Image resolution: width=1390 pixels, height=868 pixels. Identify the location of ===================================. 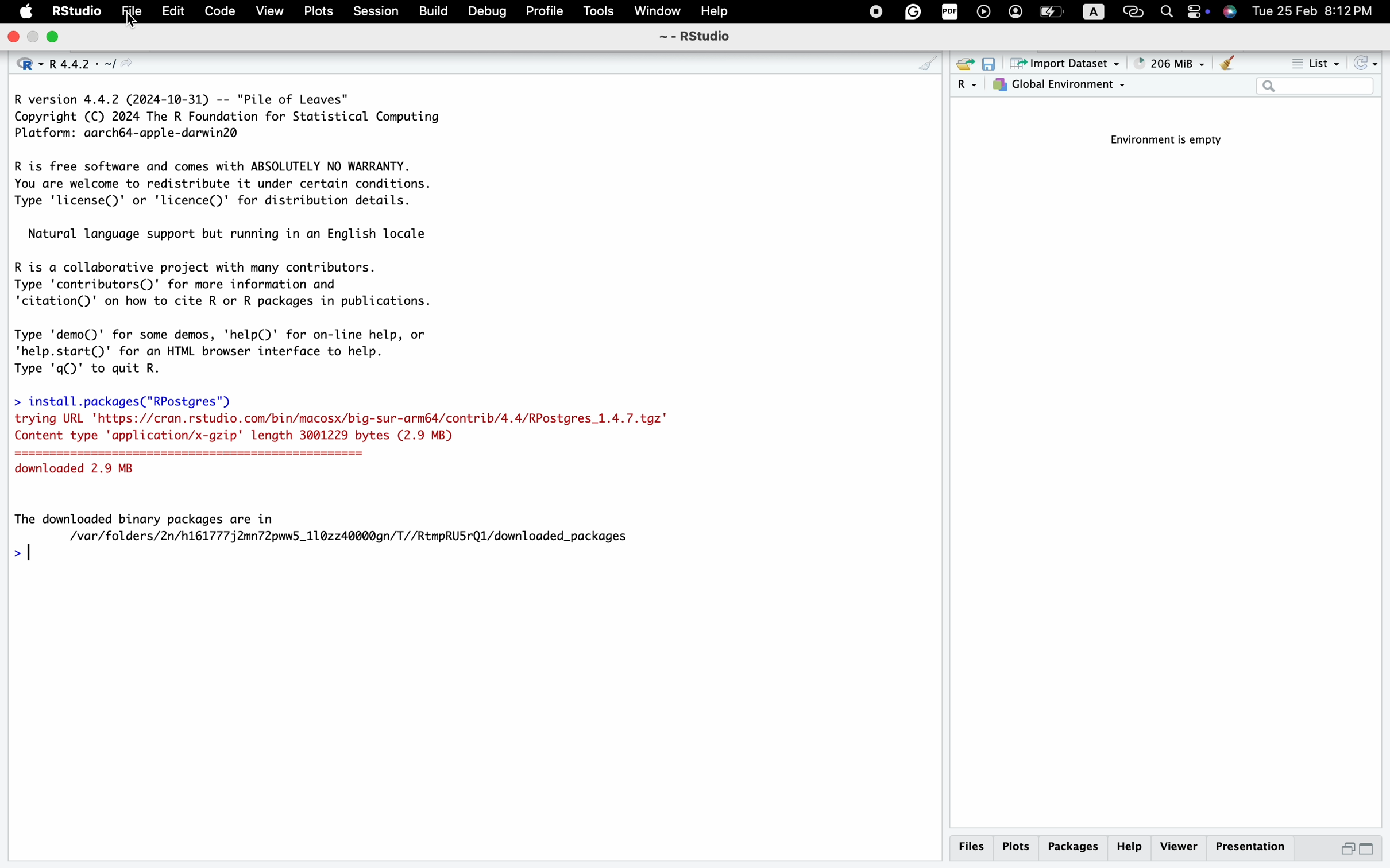
(199, 455).